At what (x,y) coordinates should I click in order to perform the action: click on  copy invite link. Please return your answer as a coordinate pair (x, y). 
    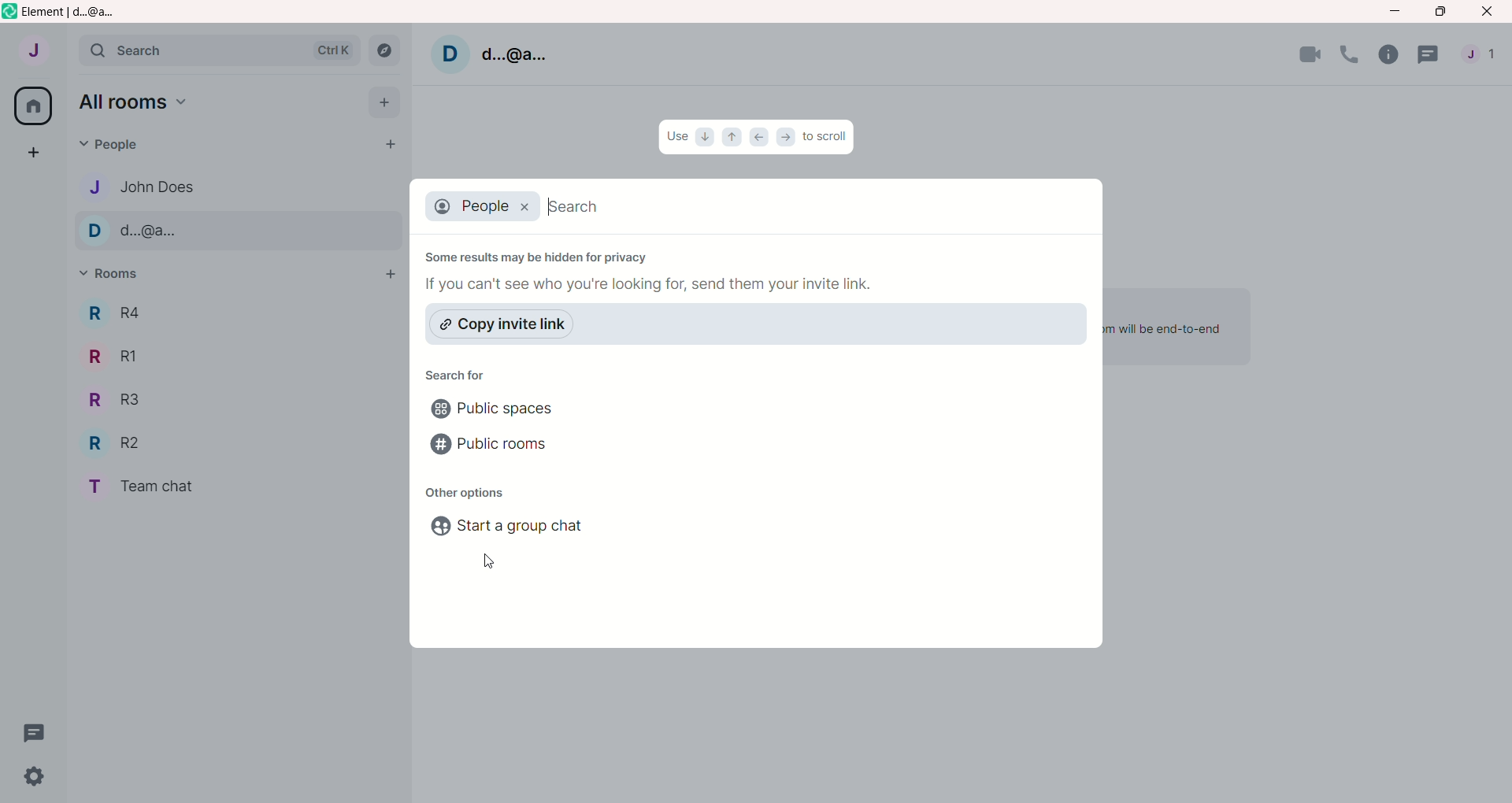
    Looking at the image, I should click on (516, 324).